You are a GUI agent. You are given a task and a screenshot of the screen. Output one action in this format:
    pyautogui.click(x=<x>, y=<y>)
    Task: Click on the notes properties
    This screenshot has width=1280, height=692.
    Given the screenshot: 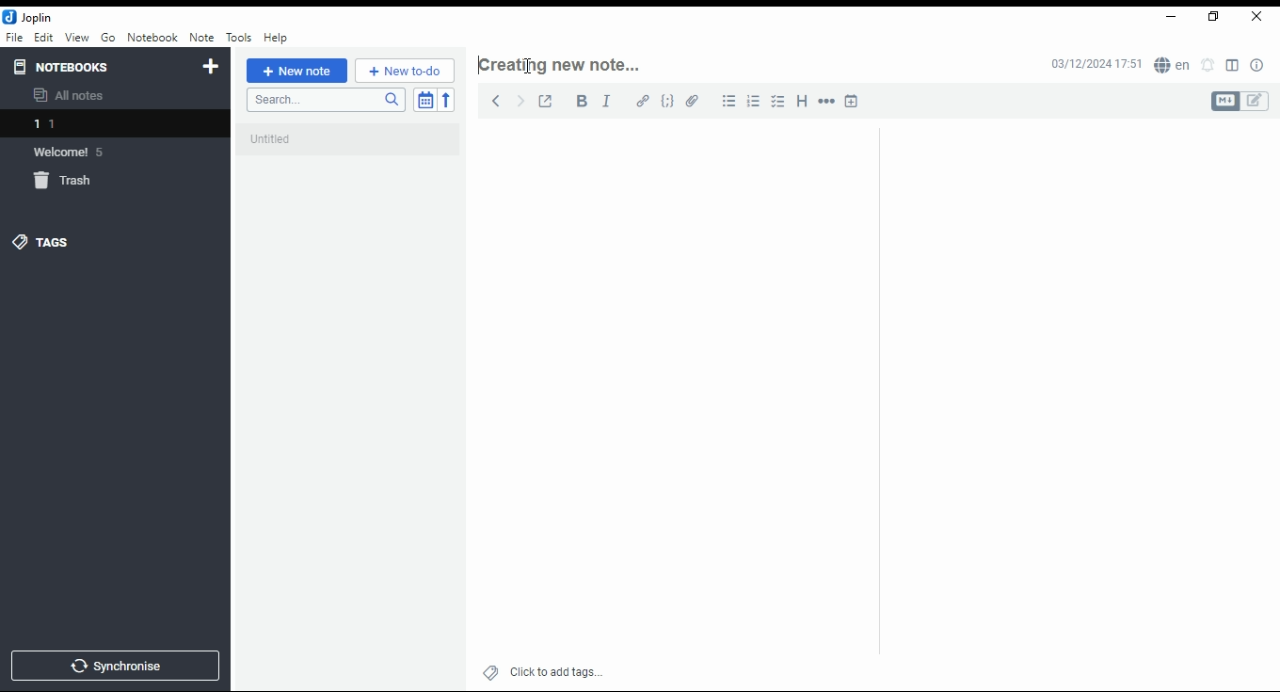 What is the action you would take?
    pyautogui.click(x=1258, y=65)
    